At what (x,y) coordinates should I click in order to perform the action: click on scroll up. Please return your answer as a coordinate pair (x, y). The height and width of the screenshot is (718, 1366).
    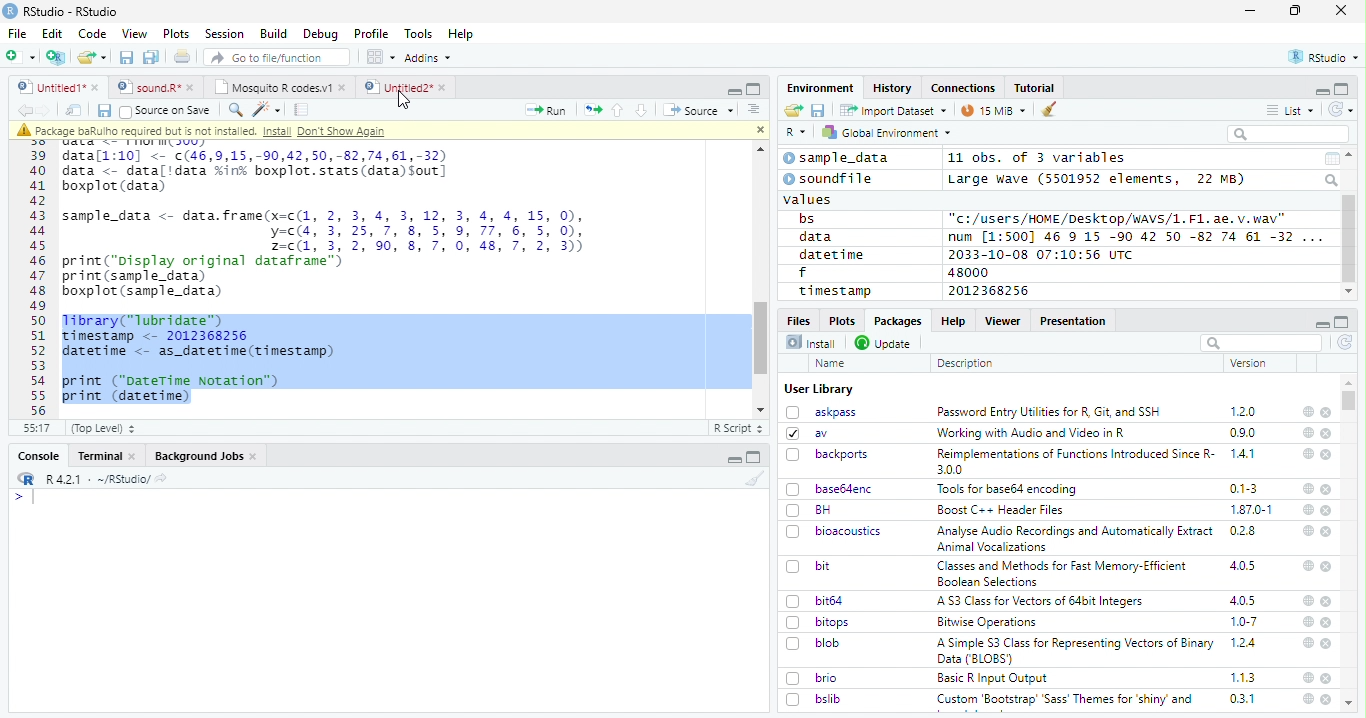
    Looking at the image, I should click on (757, 150).